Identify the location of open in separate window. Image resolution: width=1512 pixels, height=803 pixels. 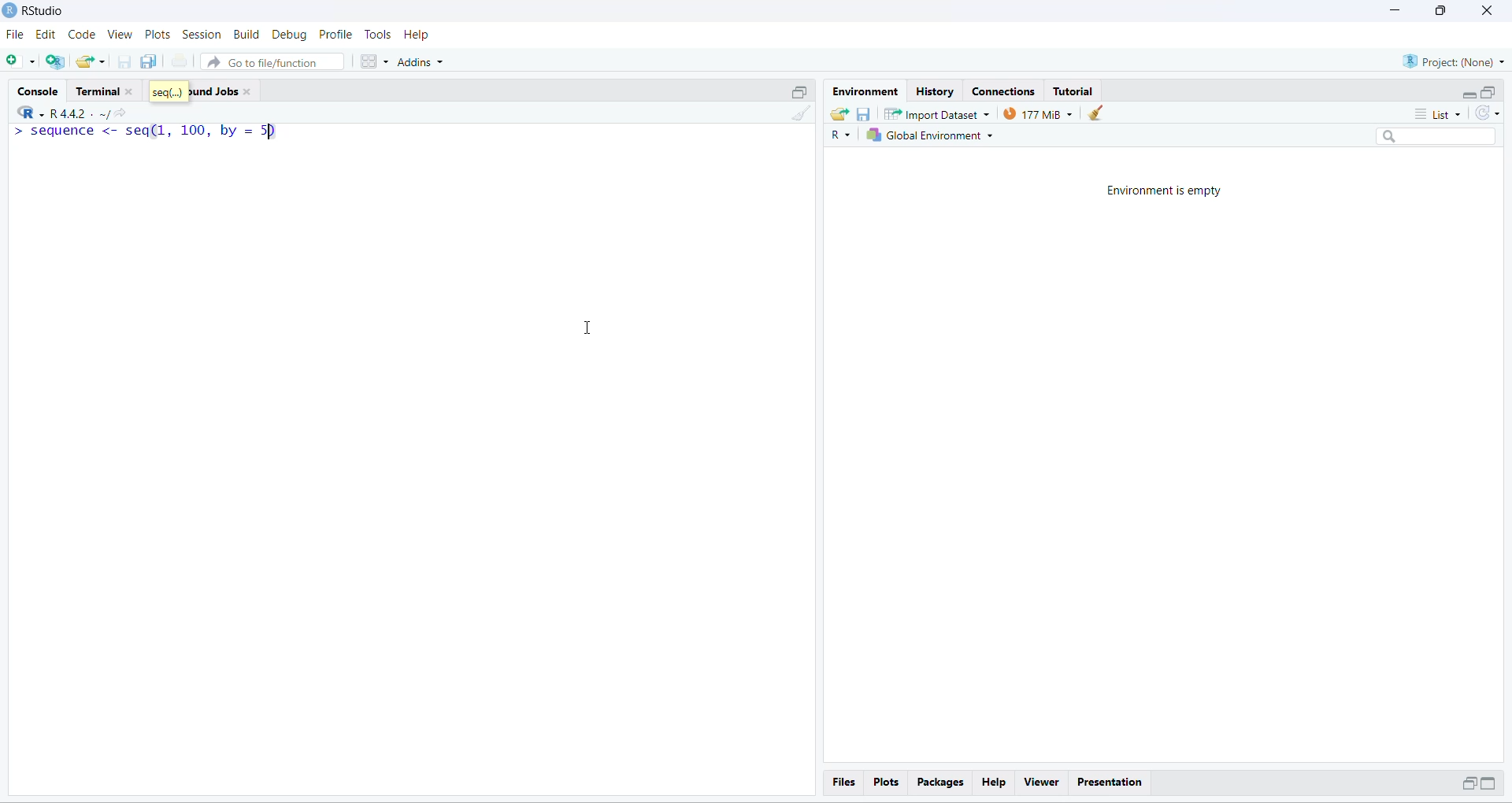
(1467, 783).